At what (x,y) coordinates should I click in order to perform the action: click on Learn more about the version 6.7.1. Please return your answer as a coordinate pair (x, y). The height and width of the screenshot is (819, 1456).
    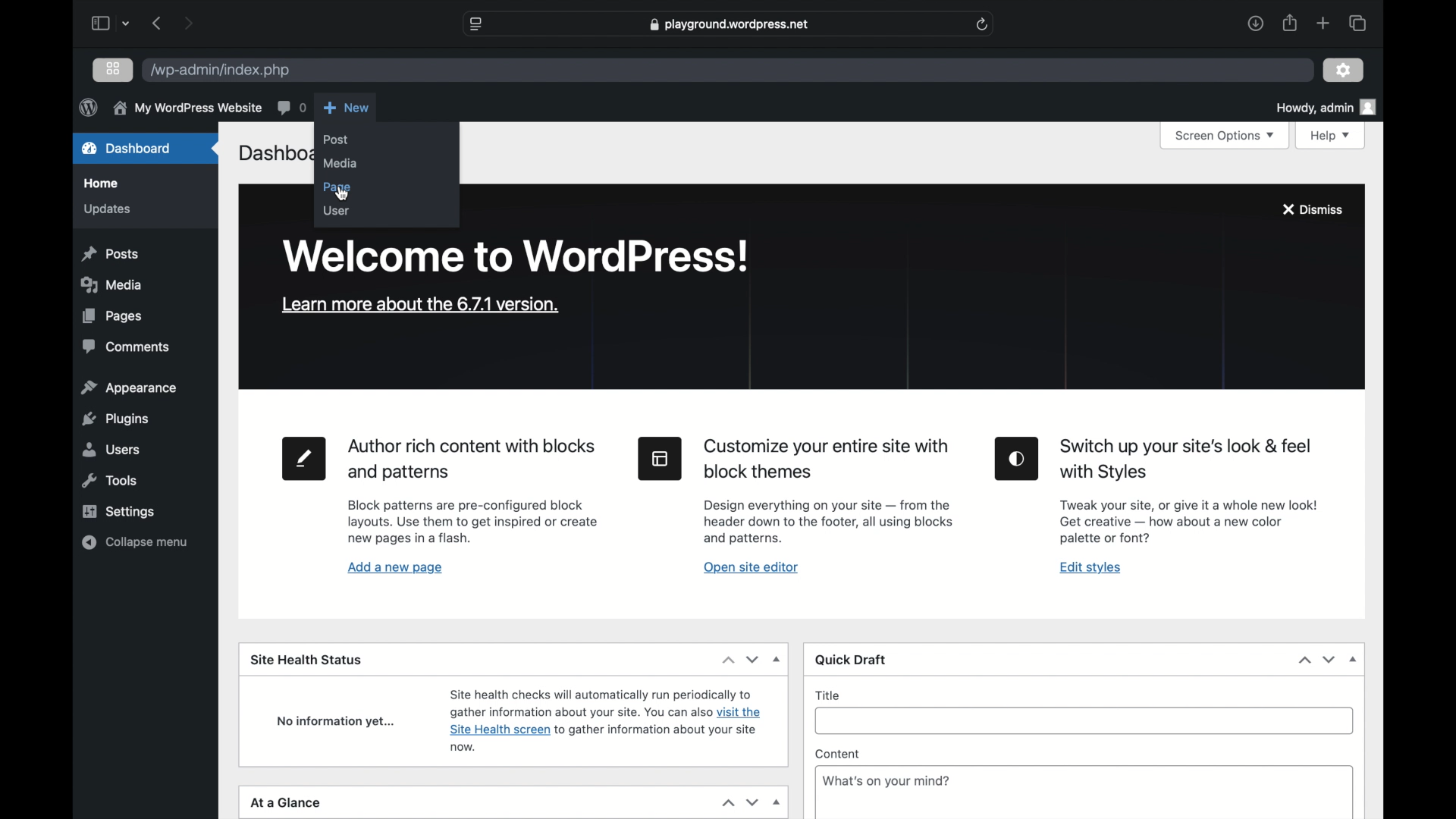
    Looking at the image, I should click on (417, 304).